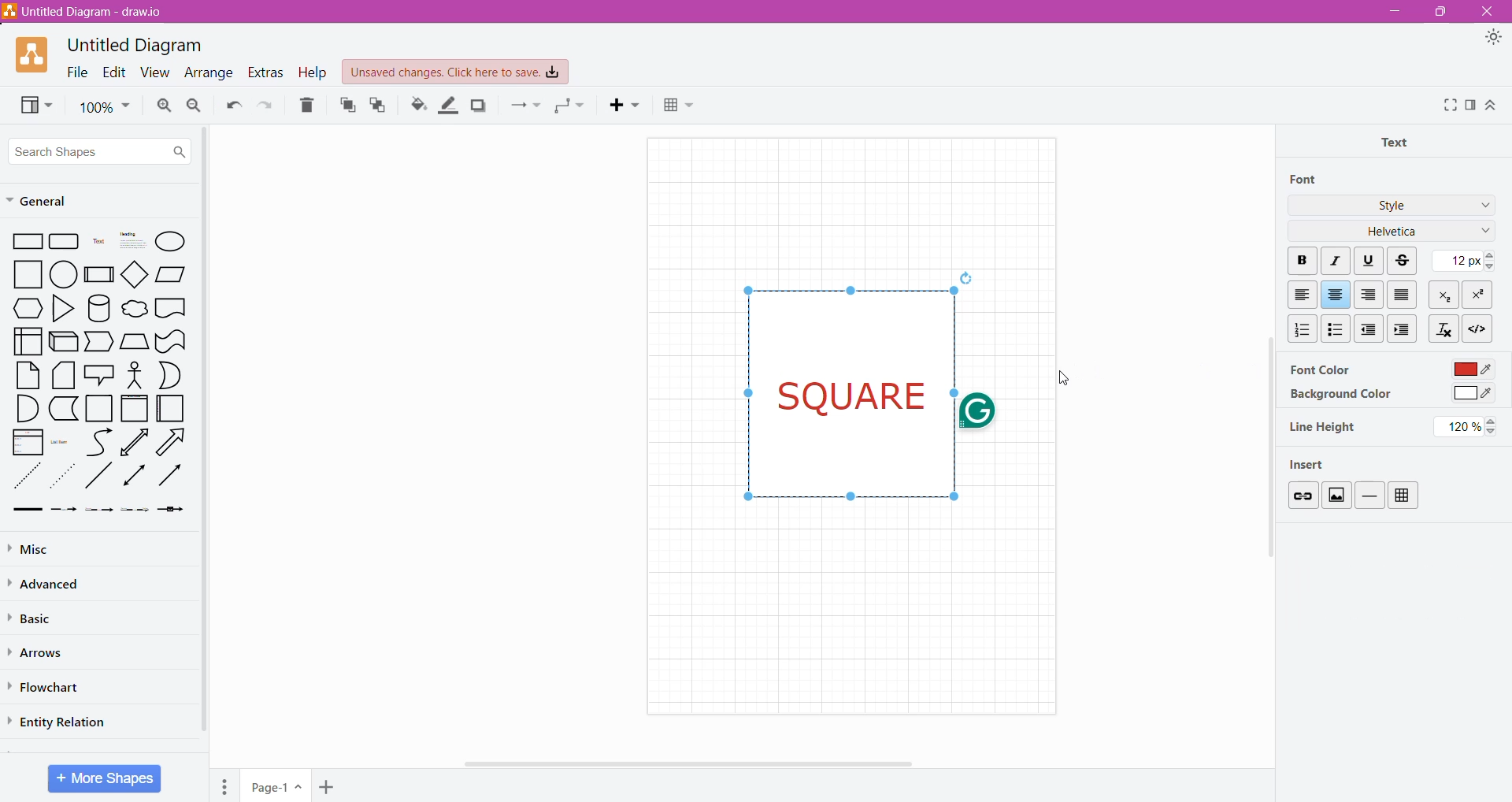 The width and height of the screenshot is (1512, 802). I want to click on Dotted Arrow , so click(62, 477).